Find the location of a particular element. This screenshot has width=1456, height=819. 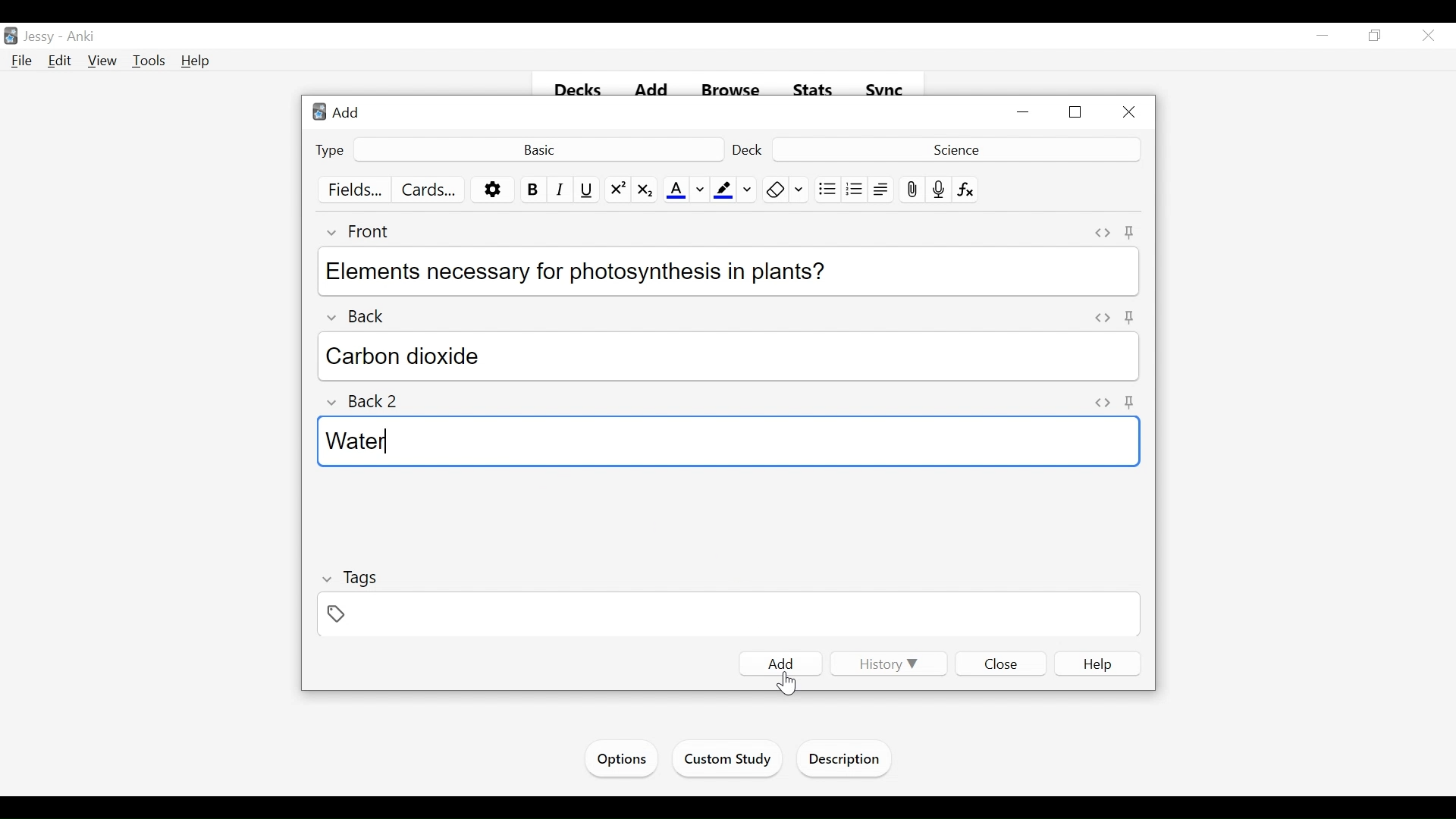

Toggle Sticky is located at coordinates (1130, 232).